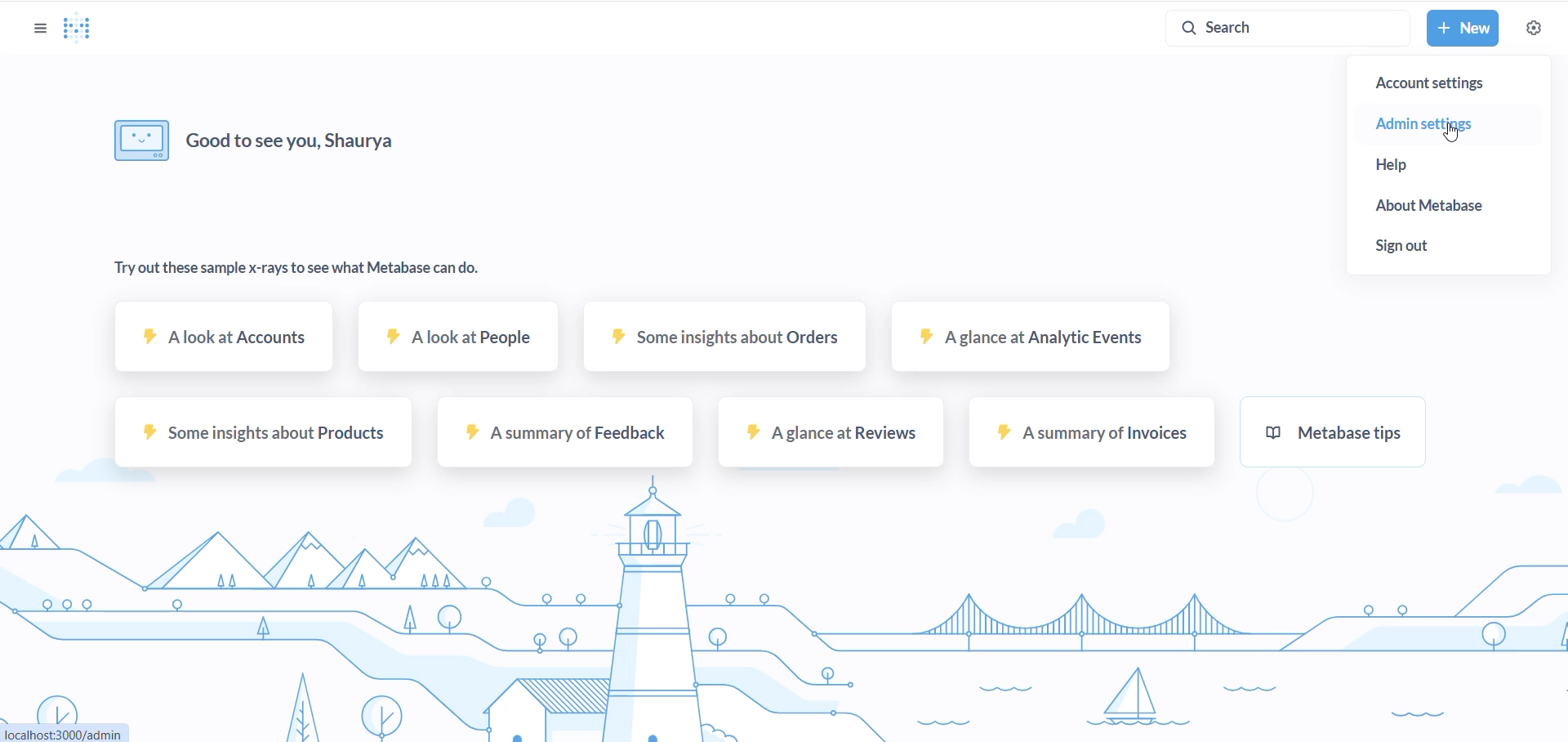 The image size is (1568, 742). I want to click on A look at people, so click(459, 346).